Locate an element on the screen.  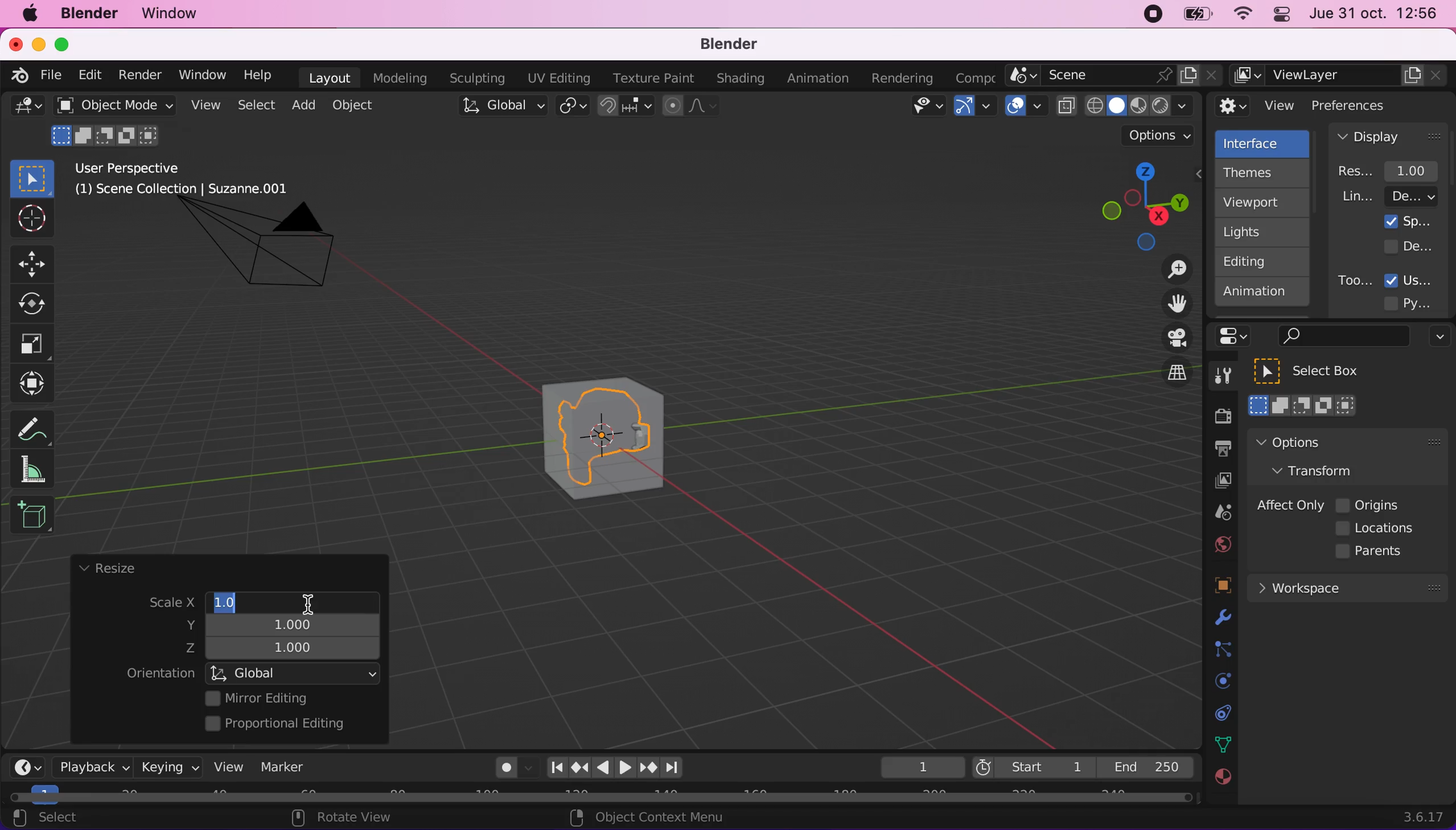
gizmos is located at coordinates (974, 109).